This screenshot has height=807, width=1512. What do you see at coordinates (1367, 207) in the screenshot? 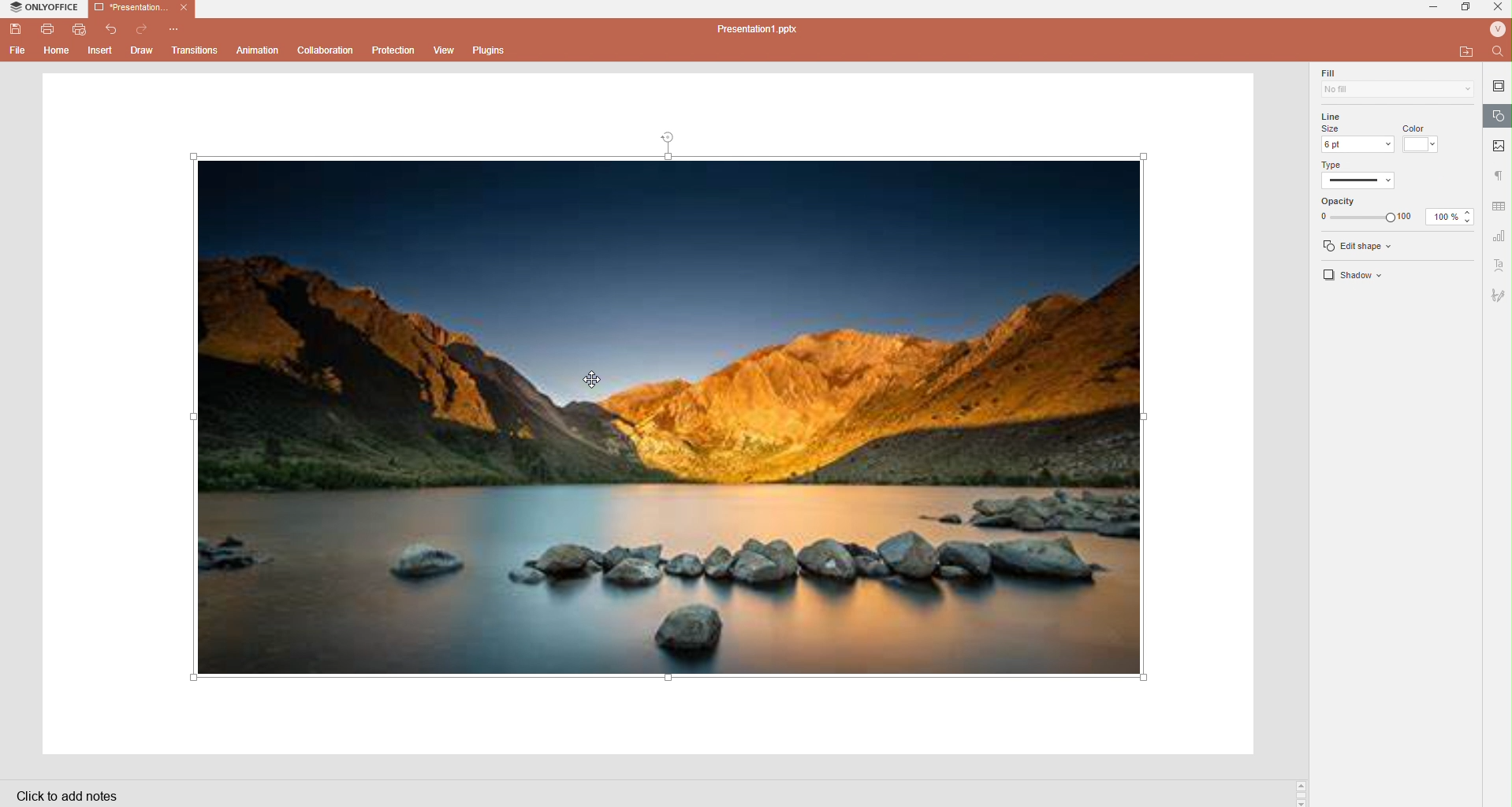
I see `Line Opacity` at bounding box center [1367, 207].